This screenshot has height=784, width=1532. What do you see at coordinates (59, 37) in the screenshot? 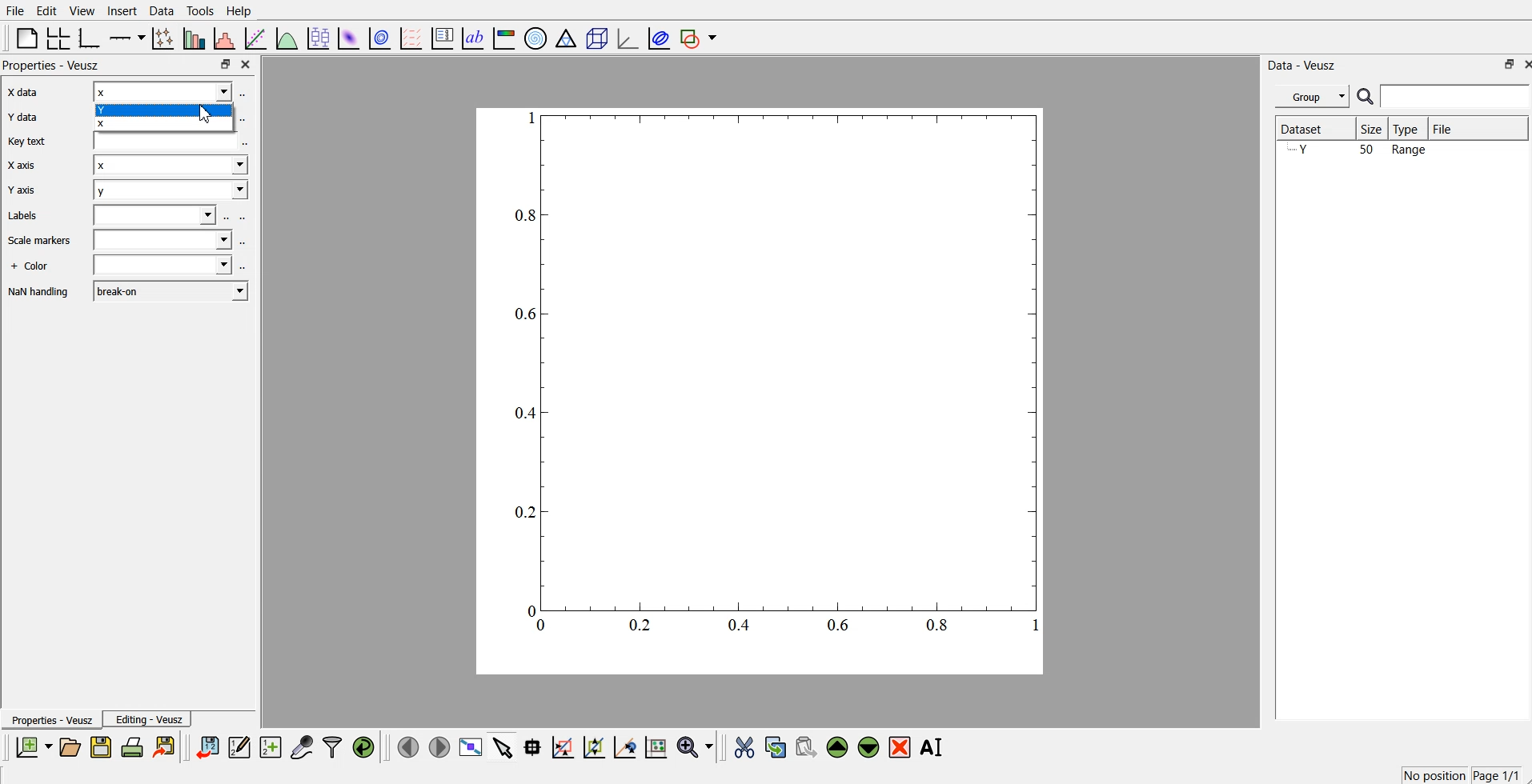
I see `arrange the graph` at bounding box center [59, 37].